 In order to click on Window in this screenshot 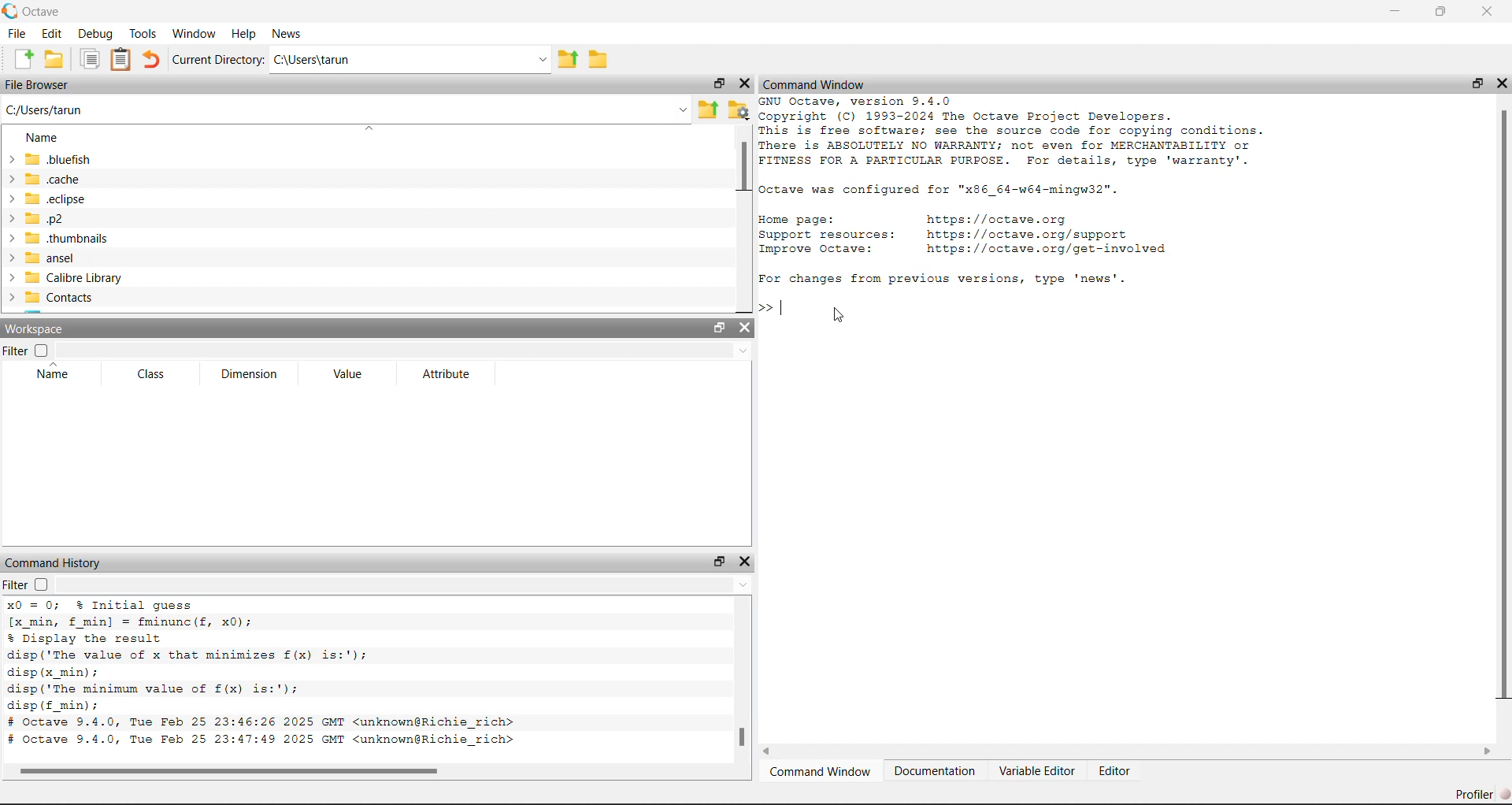, I will do `click(194, 32)`.